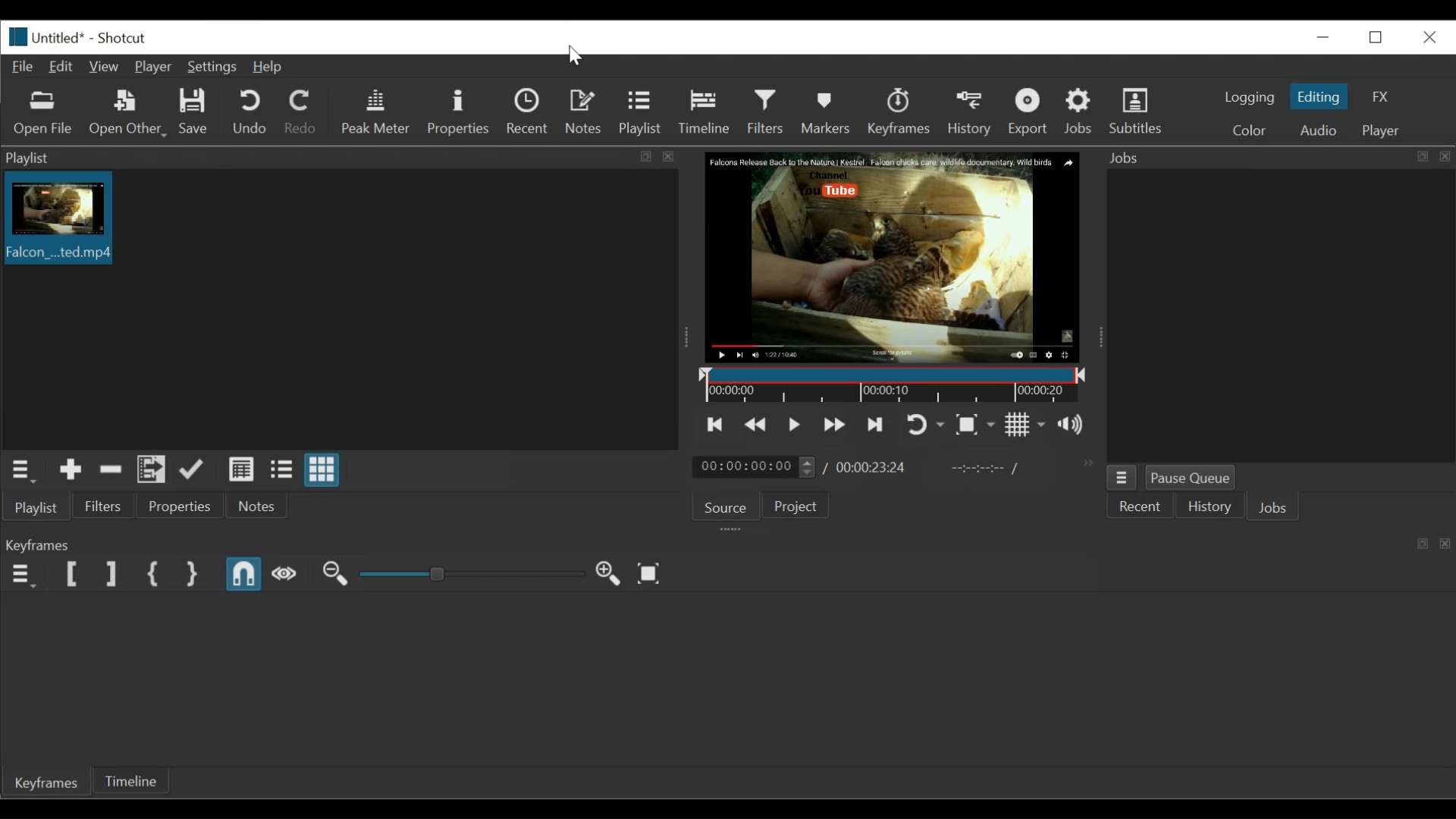 The height and width of the screenshot is (819, 1456). What do you see at coordinates (584, 111) in the screenshot?
I see `Notes` at bounding box center [584, 111].